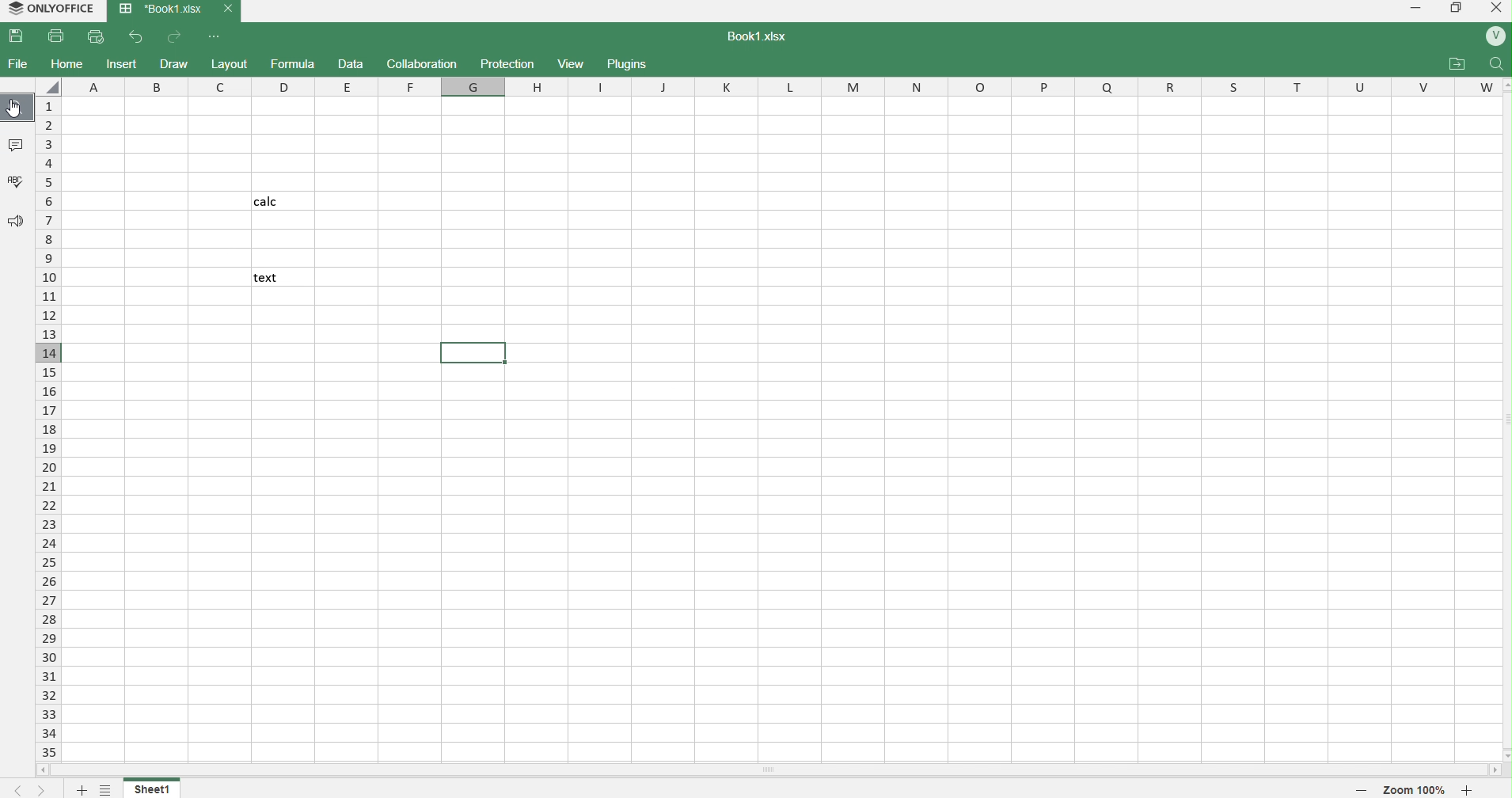  I want to click on windows, so click(1455, 9).